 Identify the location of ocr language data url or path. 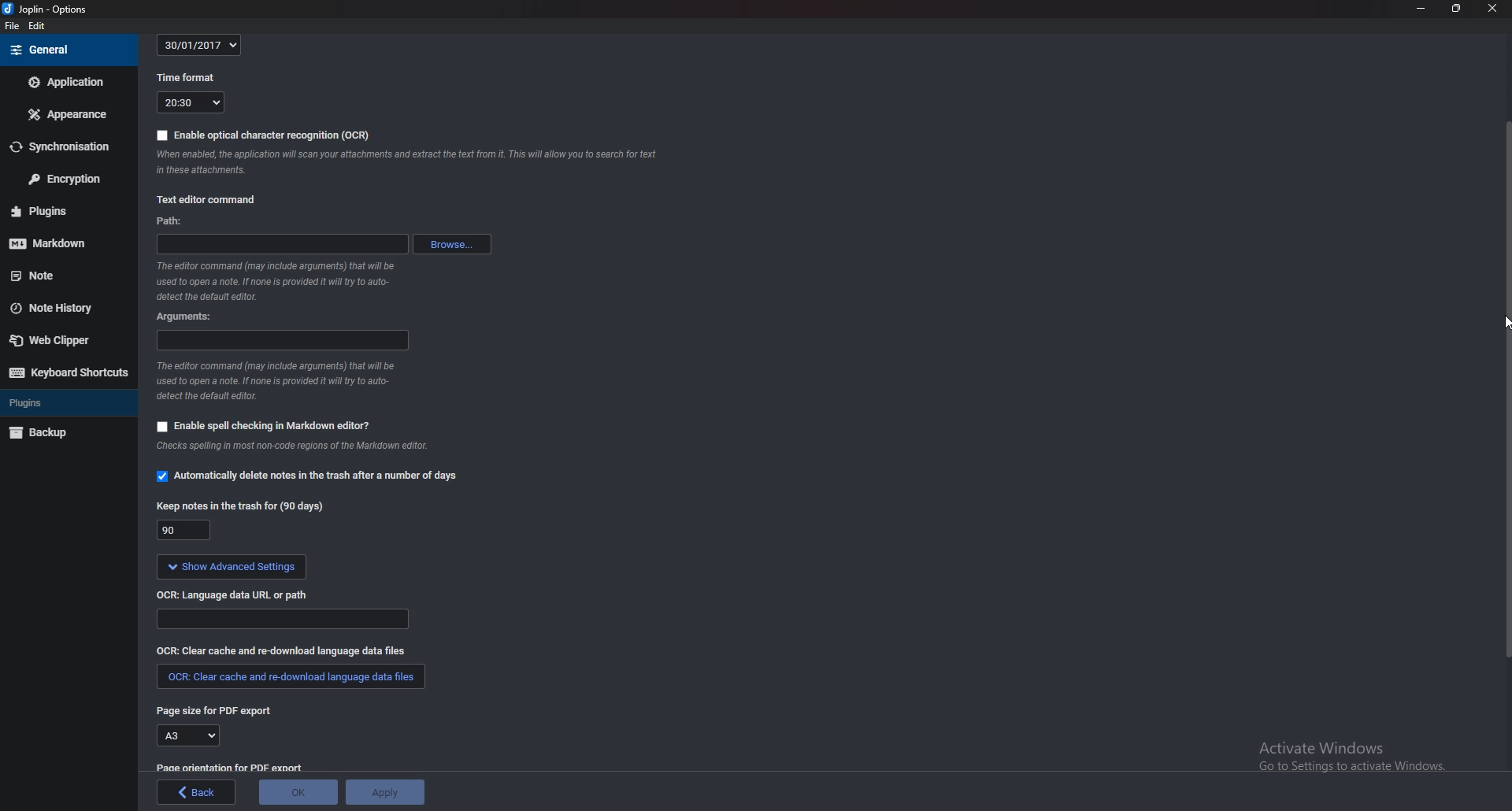
(232, 594).